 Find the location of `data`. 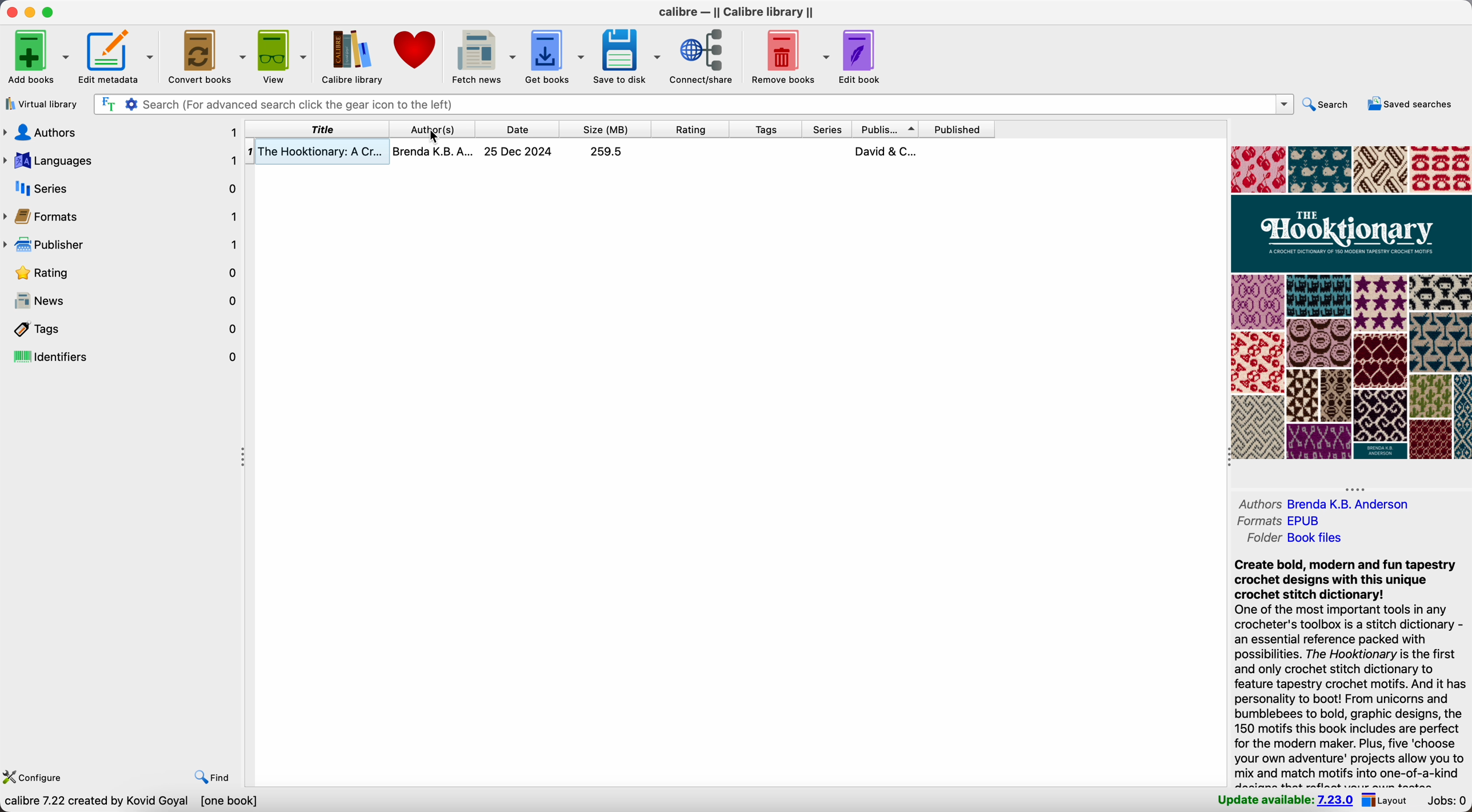

data is located at coordinates (133, 802).